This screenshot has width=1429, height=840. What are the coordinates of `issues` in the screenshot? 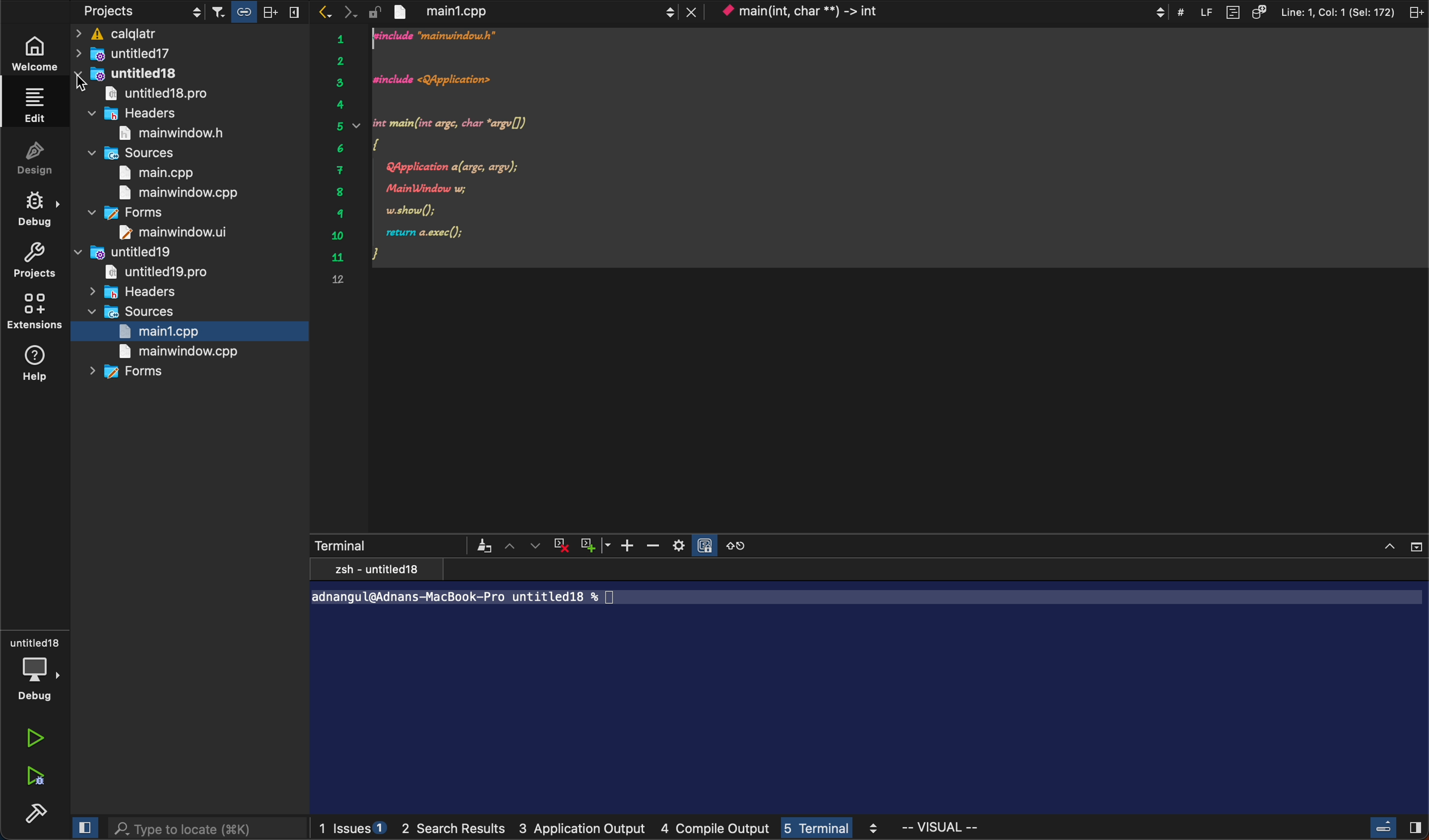 It's located at (349, 830).